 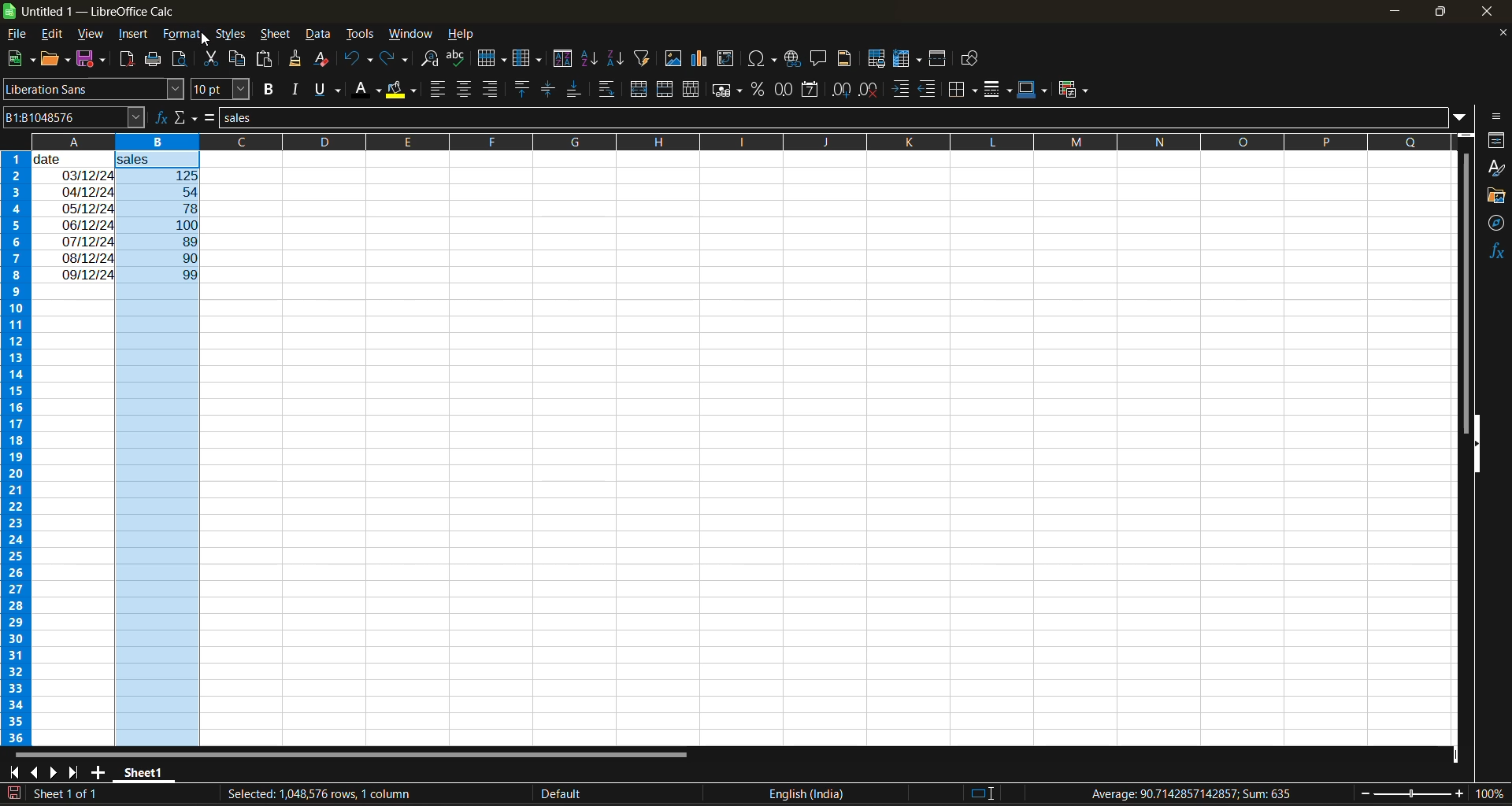 What do you see at coordinates (458, 58) in the screenshot?
I see `spelling` at bounding box center [458, 58].